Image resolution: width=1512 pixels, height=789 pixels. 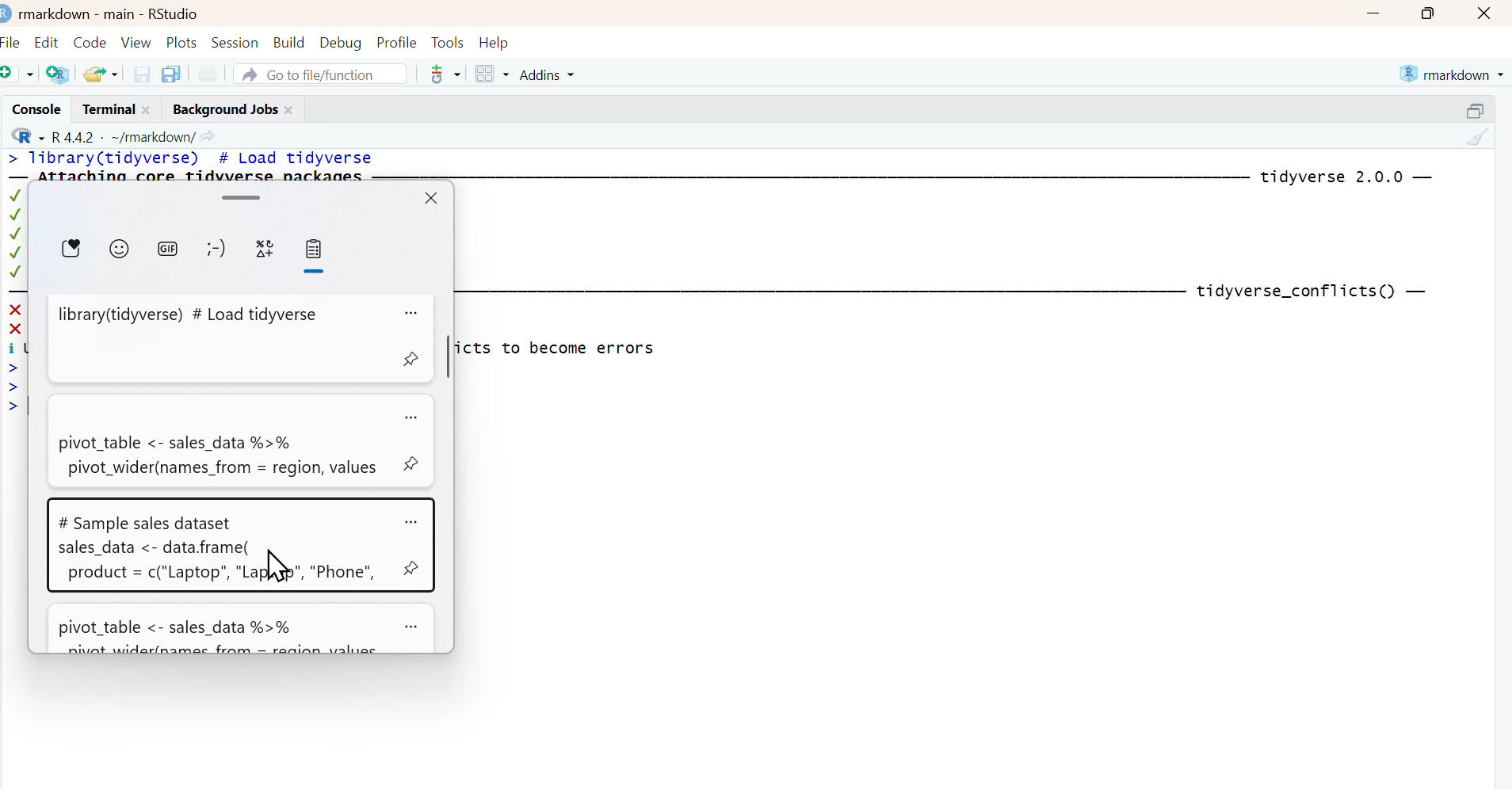 What do you see at coordinates (410, 360) in the screenshot?
I see `pin` at bounding box center [410, 360].